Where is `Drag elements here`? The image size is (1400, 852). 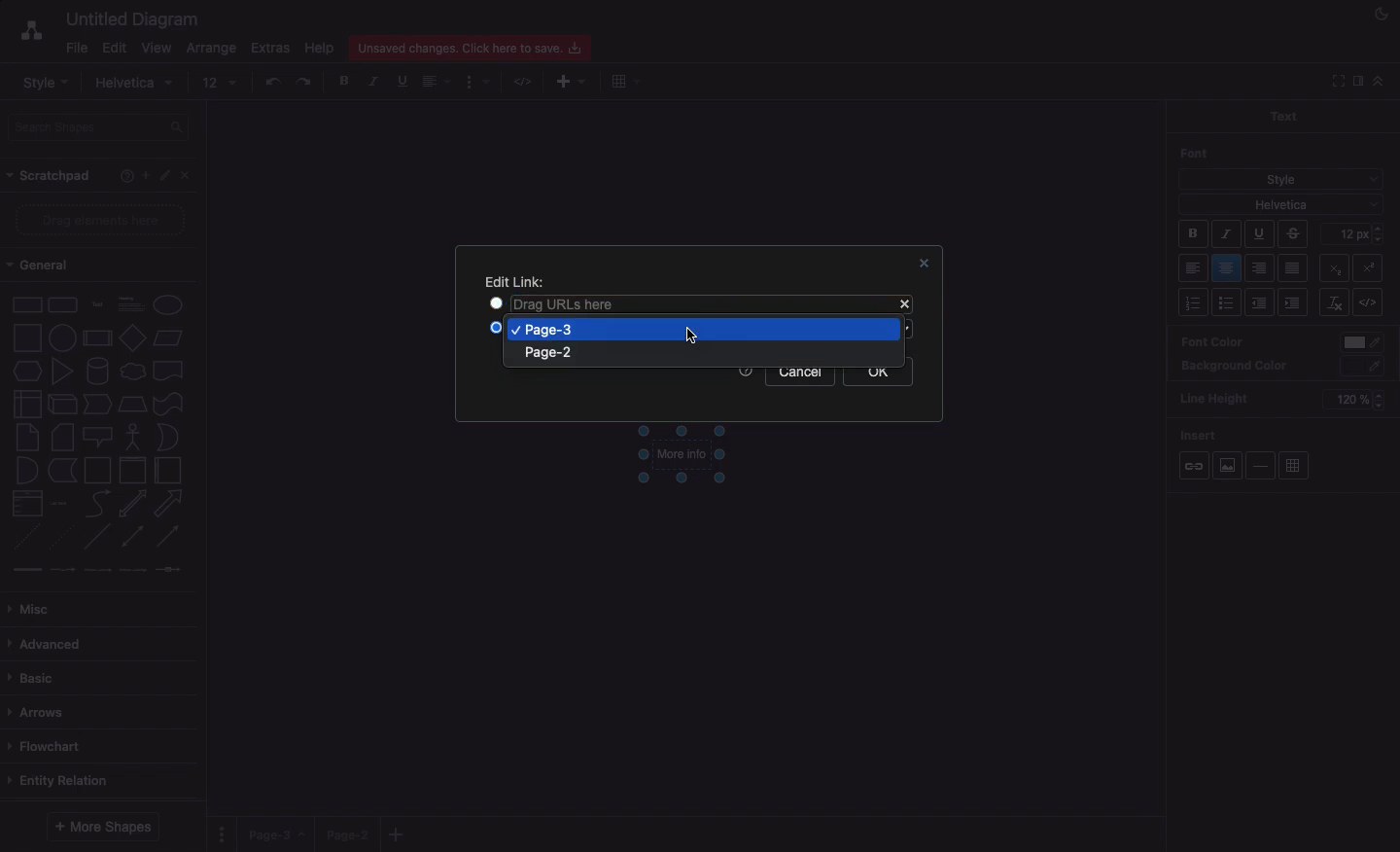 Drag elements here is located at coordinates (102, 219).